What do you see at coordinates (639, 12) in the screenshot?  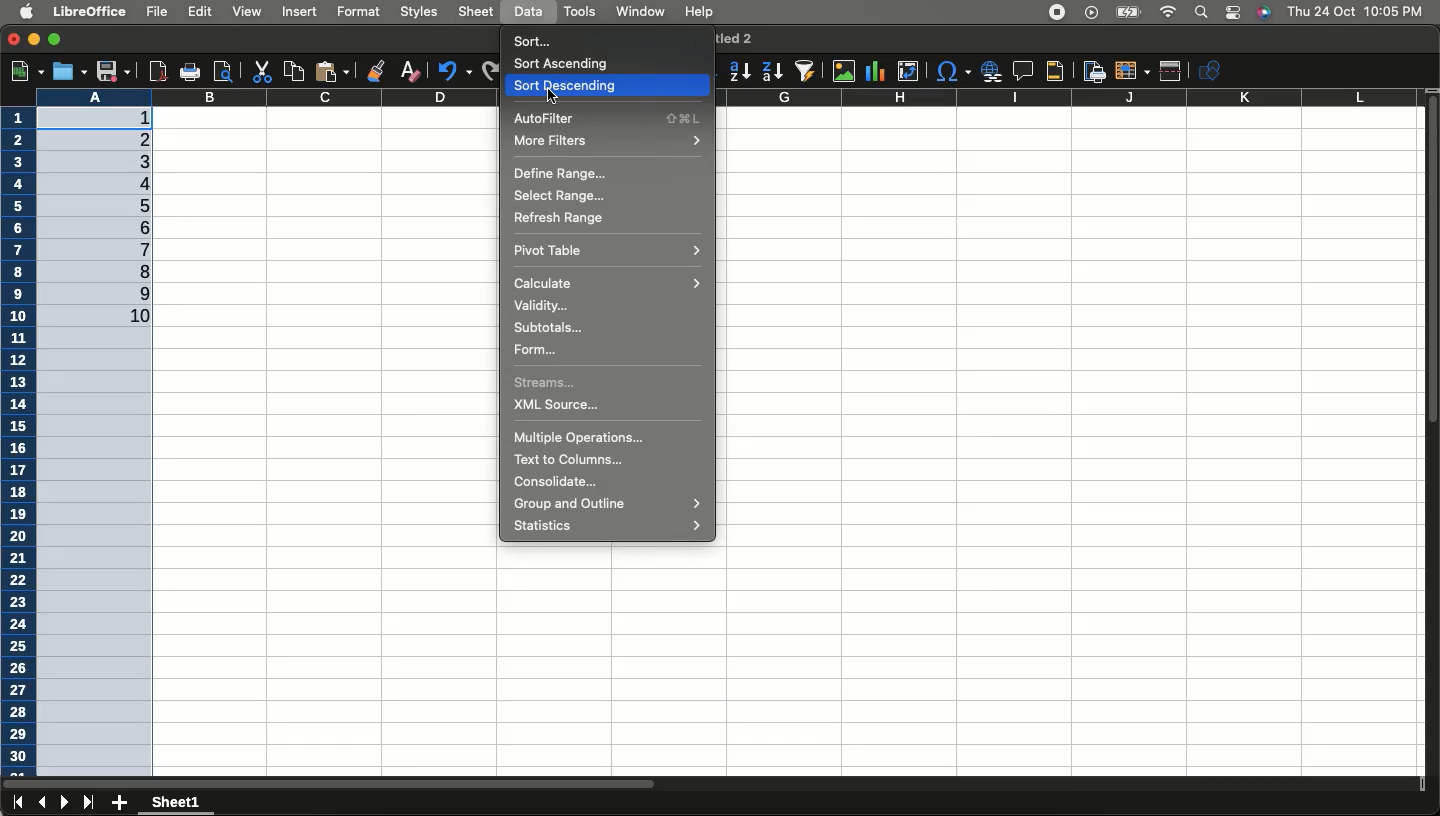 I see `Window` at bounding box center [639, 12].